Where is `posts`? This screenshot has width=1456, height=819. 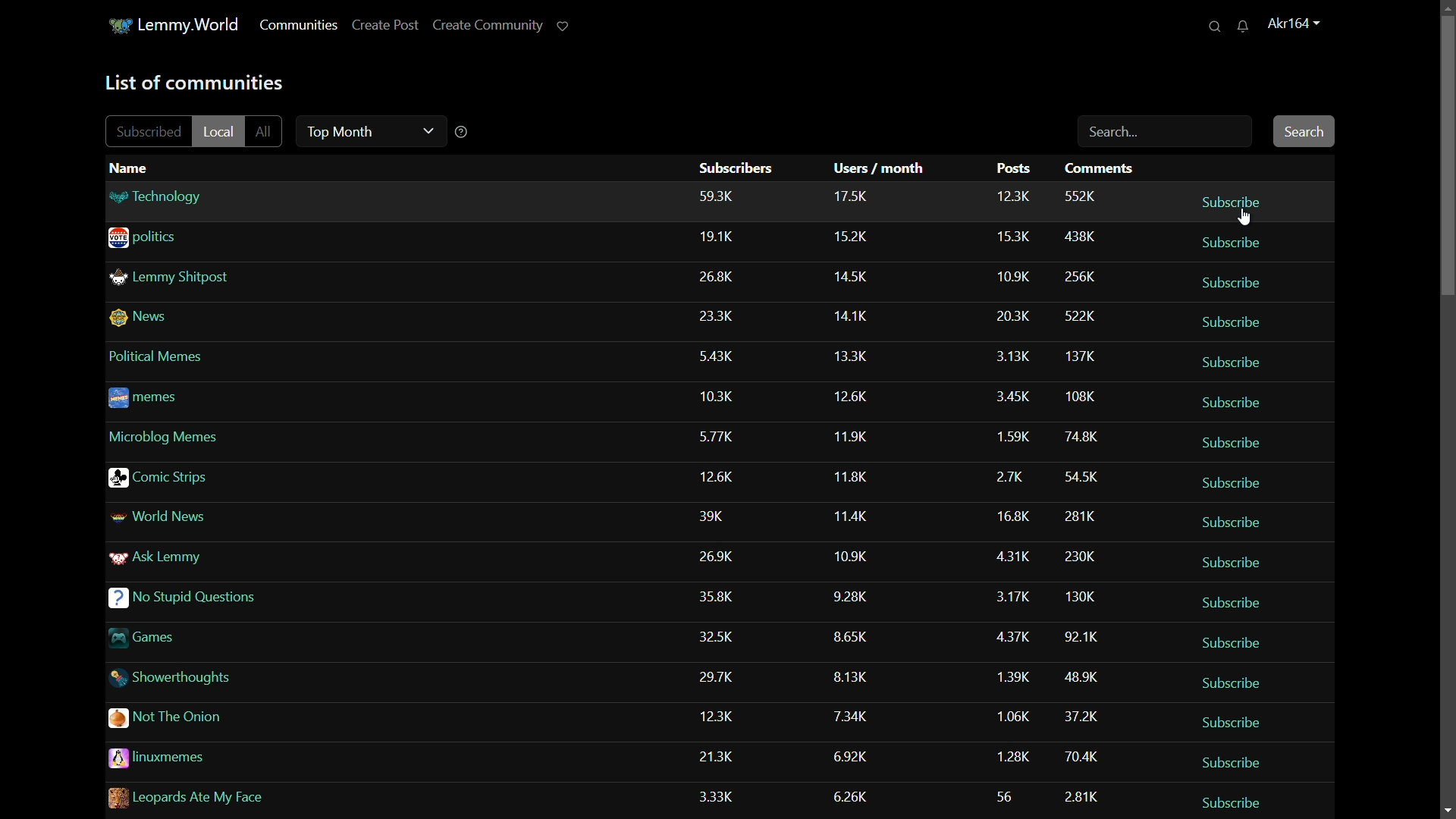
posts is located at coordinates (1006, 431).